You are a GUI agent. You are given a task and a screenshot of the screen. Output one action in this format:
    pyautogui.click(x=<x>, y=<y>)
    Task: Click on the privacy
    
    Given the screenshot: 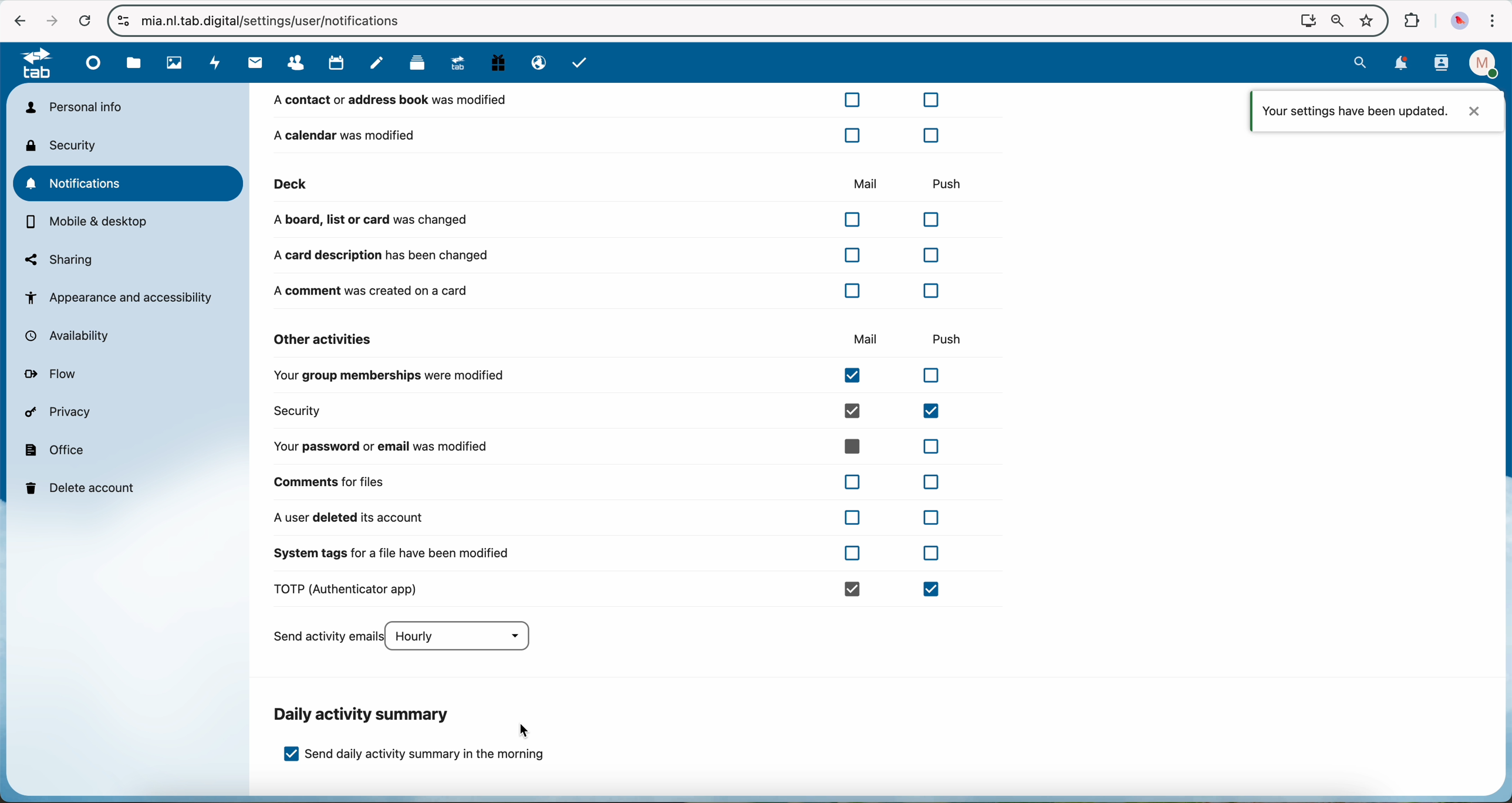 What is the action you would take?
    pyautogui.click(x=61, y=414)
    